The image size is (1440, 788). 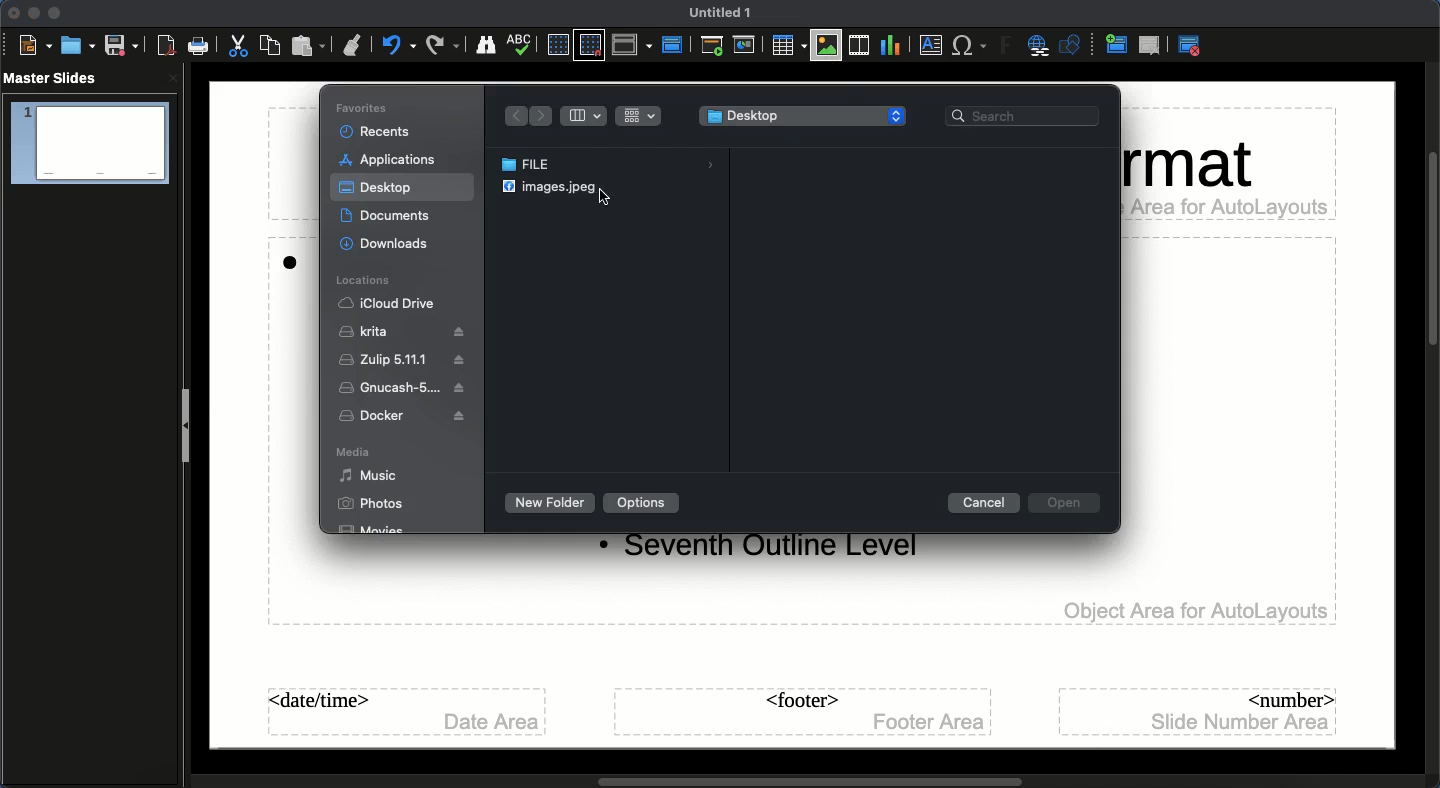 I want to click on Master slide, so click(x=675, y=40).